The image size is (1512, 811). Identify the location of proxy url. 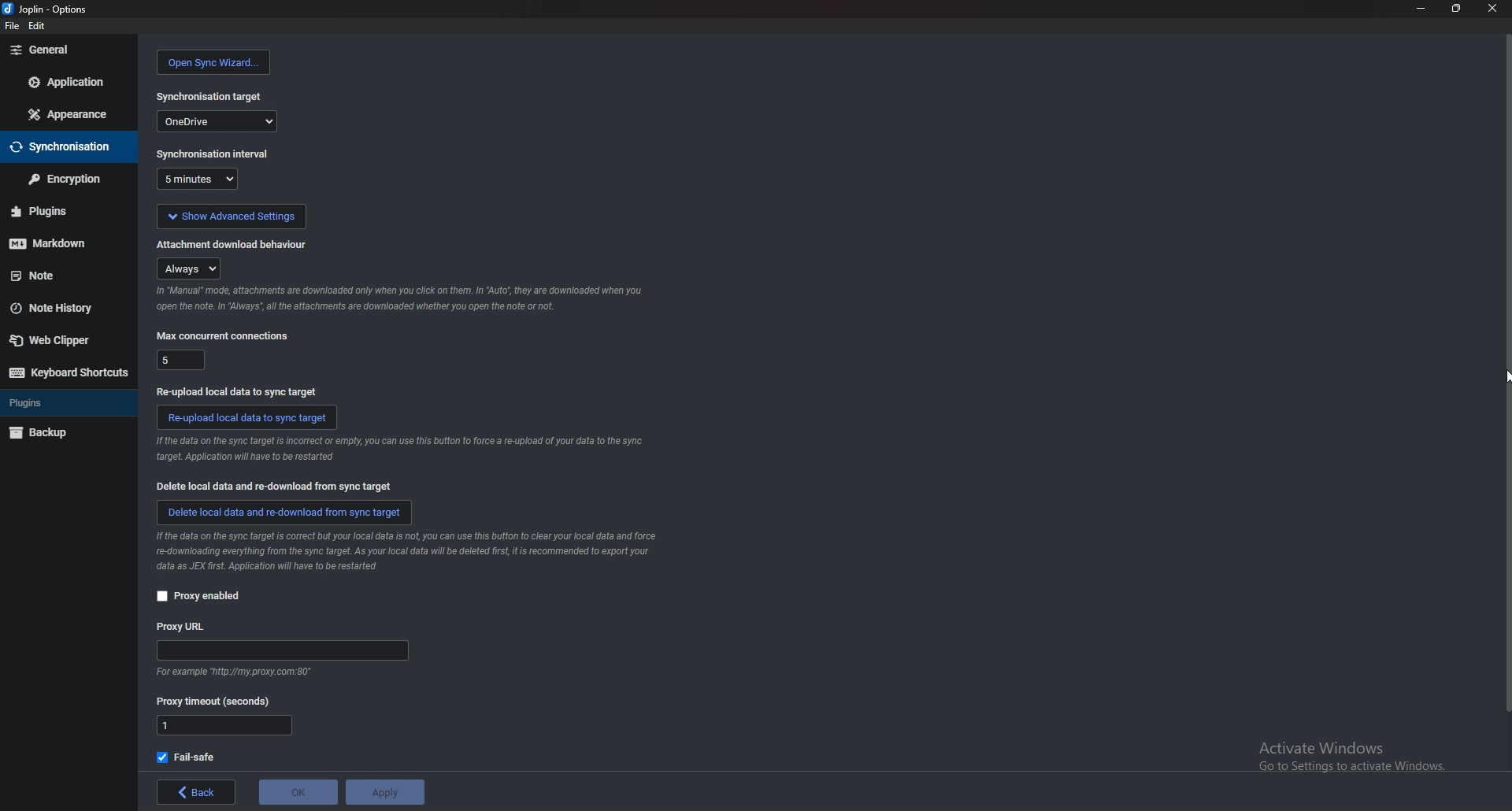
(180, 628).